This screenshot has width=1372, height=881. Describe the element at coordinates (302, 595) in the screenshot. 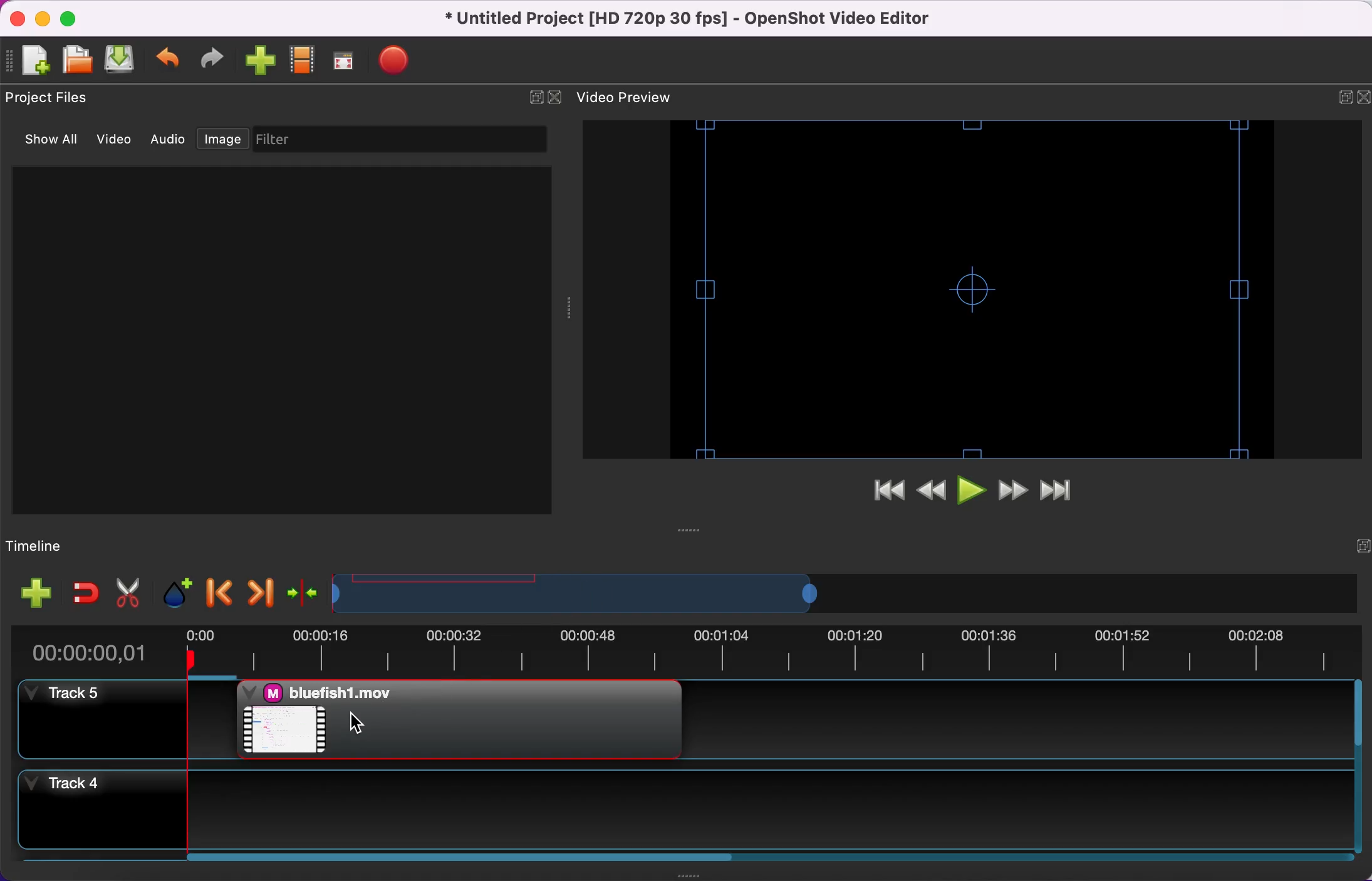

I see `center the timeline` at that location.